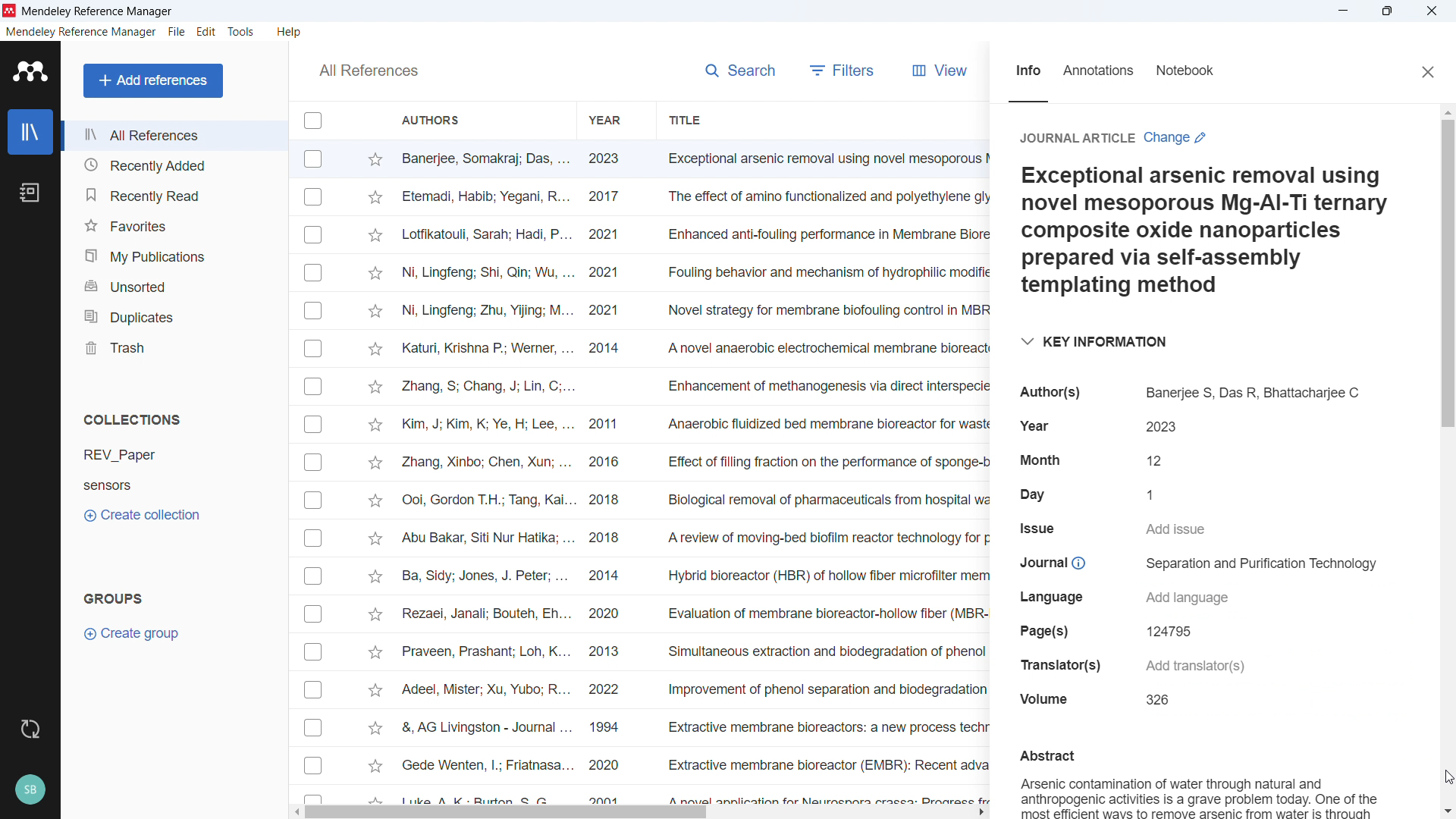 This screenshot has width=1456, height=819. What do you see at coordinates (376, 388) in the screenshot?
I see `click to starmark individual entries` at bounding box center [376, 388].